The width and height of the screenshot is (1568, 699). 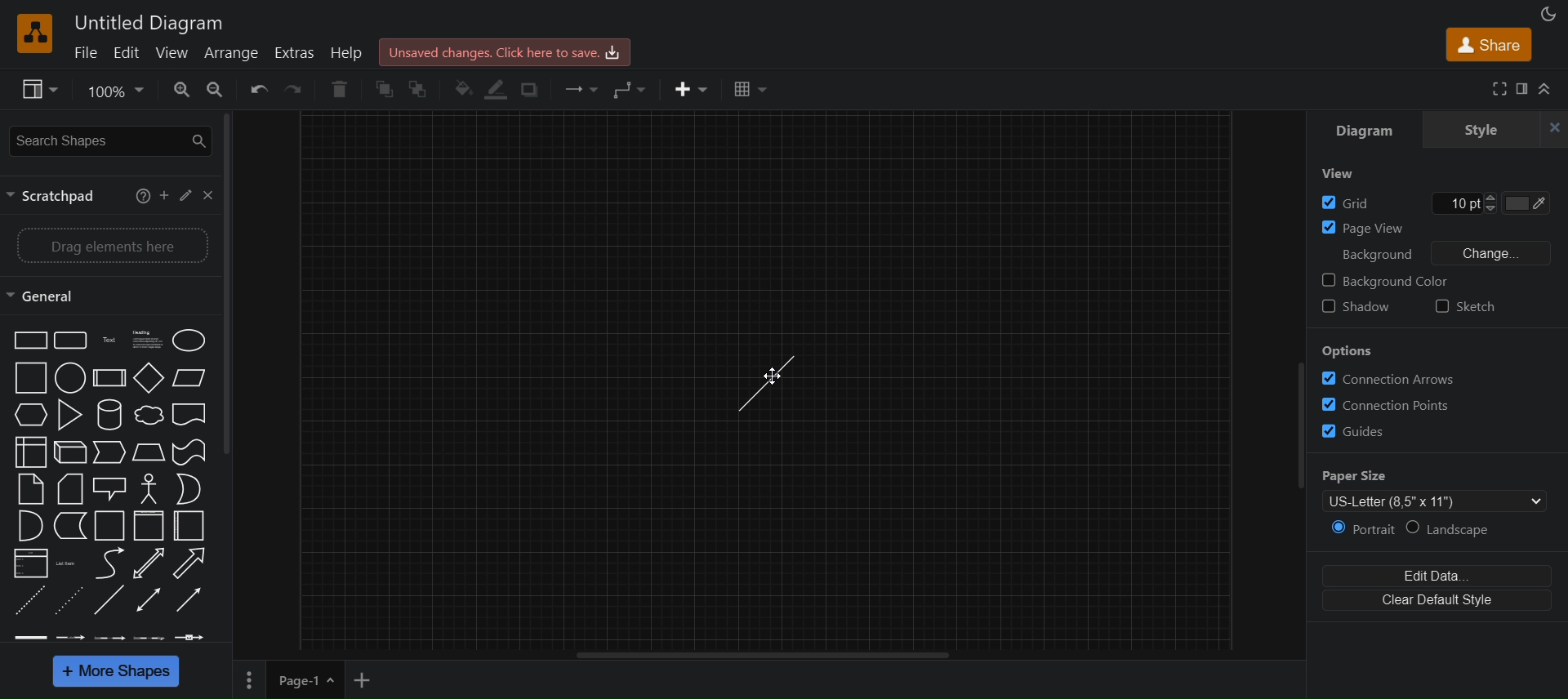 What do you see at coordinates (250, 679) in the screenshot?
I see `page` at bounding box center [250, 679].